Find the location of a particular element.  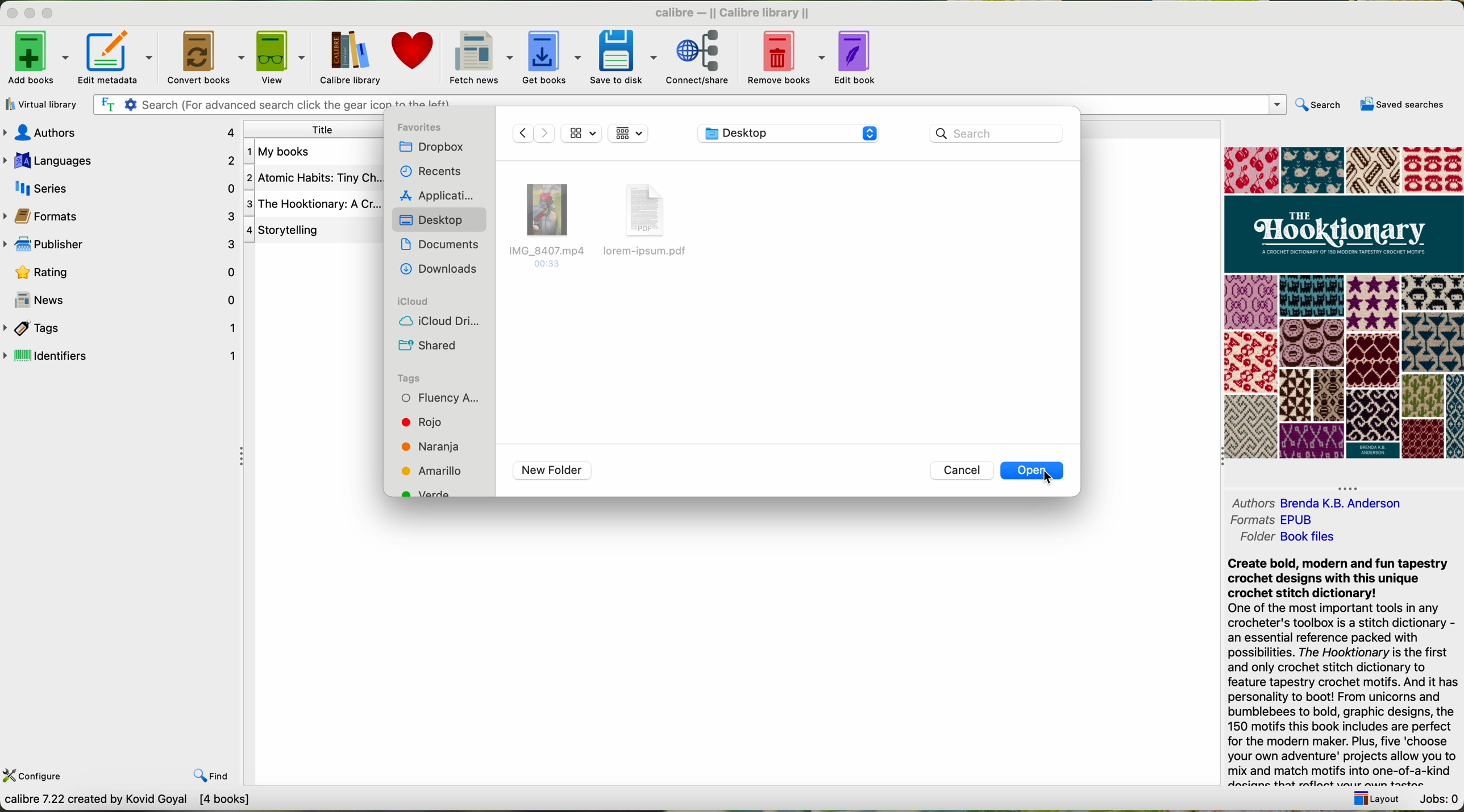

applications is located at coordinates (440, 196).